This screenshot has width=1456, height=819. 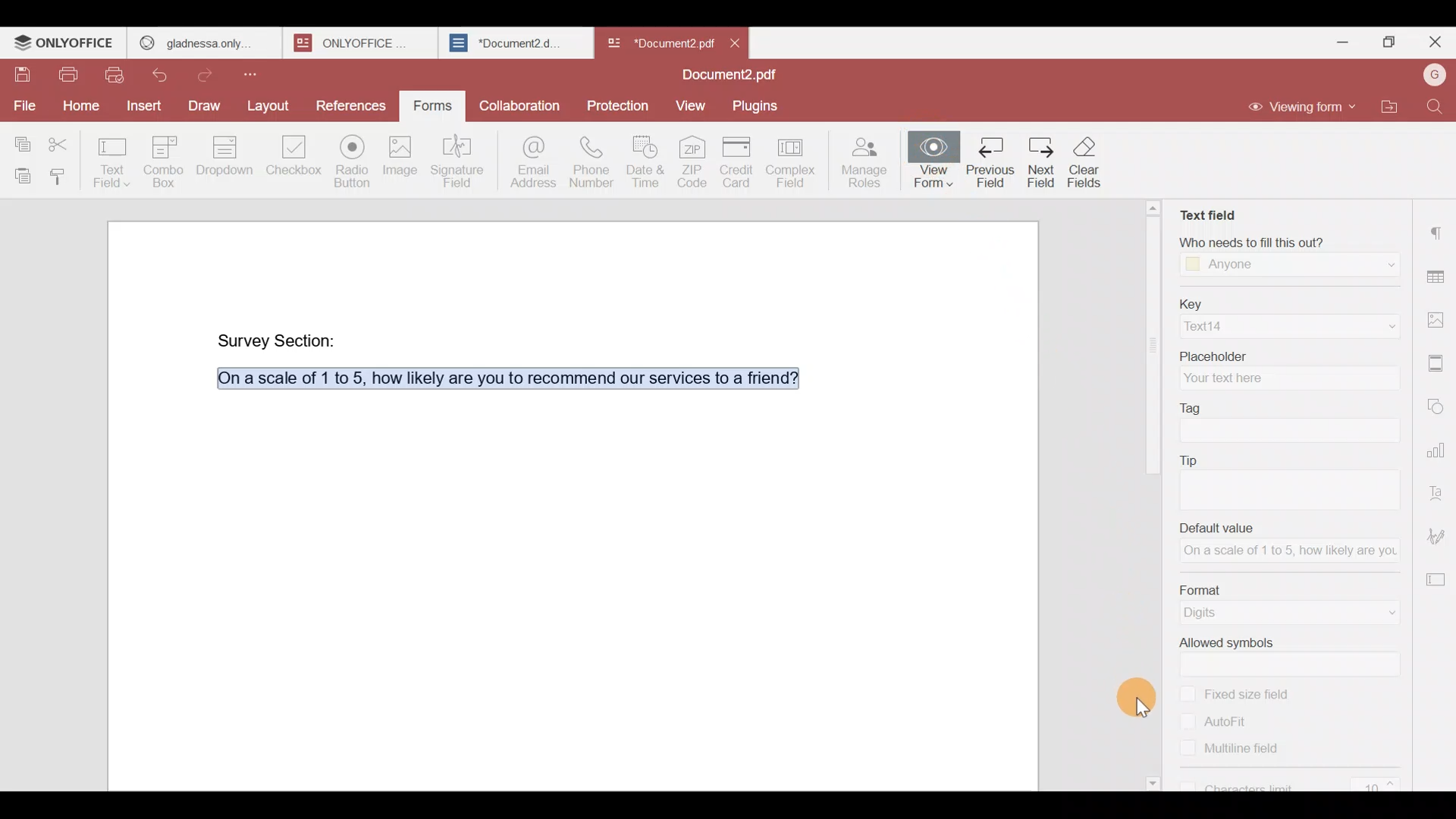 I want to click on Customize quick access toolbar, so click(x=265, y=73).